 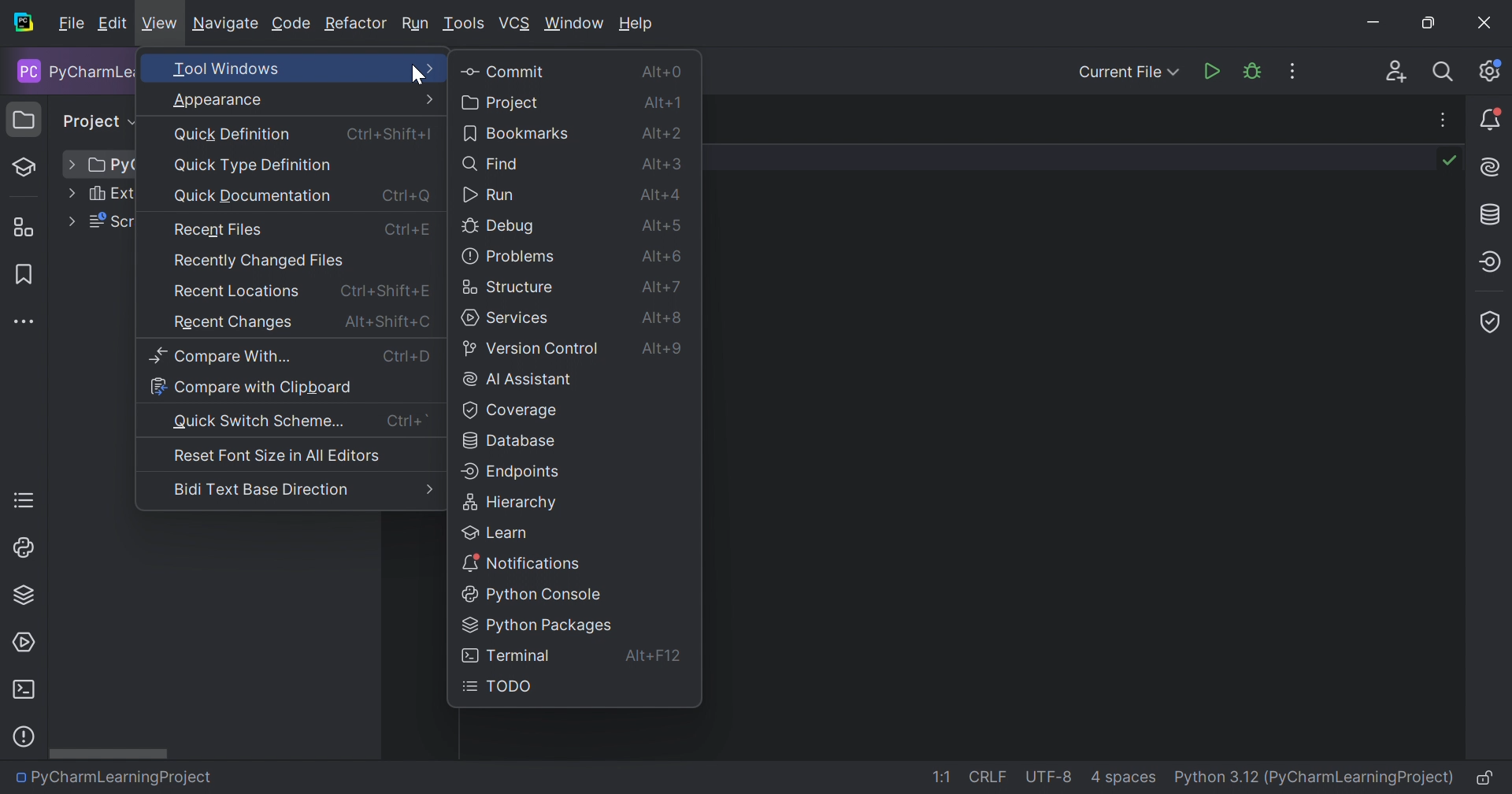 What do you see at coordinates (520, 560) in the screenshot?
I see `Notifications` at bounding box center [520, 560].